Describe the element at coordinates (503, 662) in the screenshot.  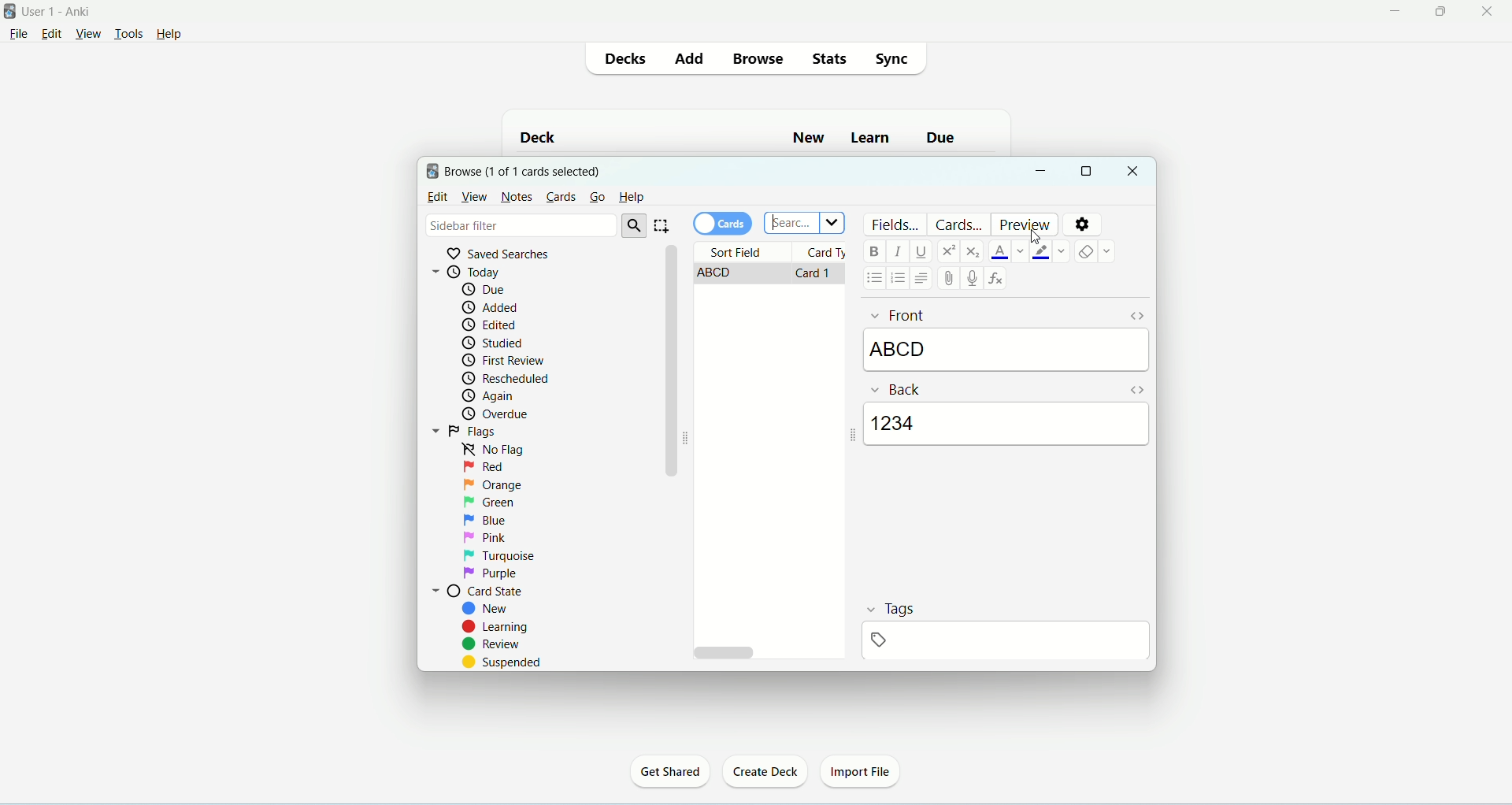
I see `suspended` at that location.